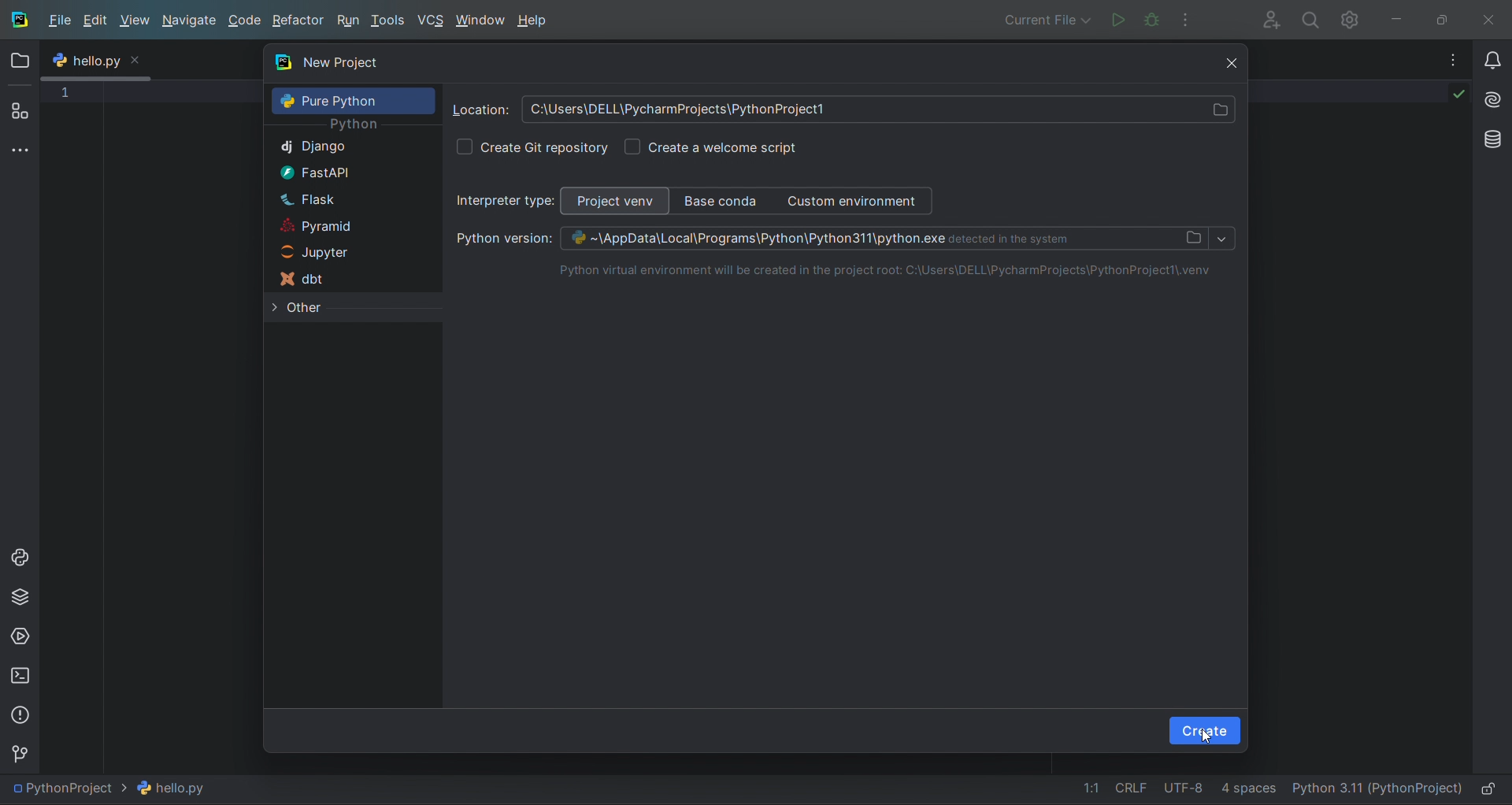 This screenshot has height=805, width=1512. Describe the element at coordinates (343, 250) in the screenshot. I see `jupyter` at that location.